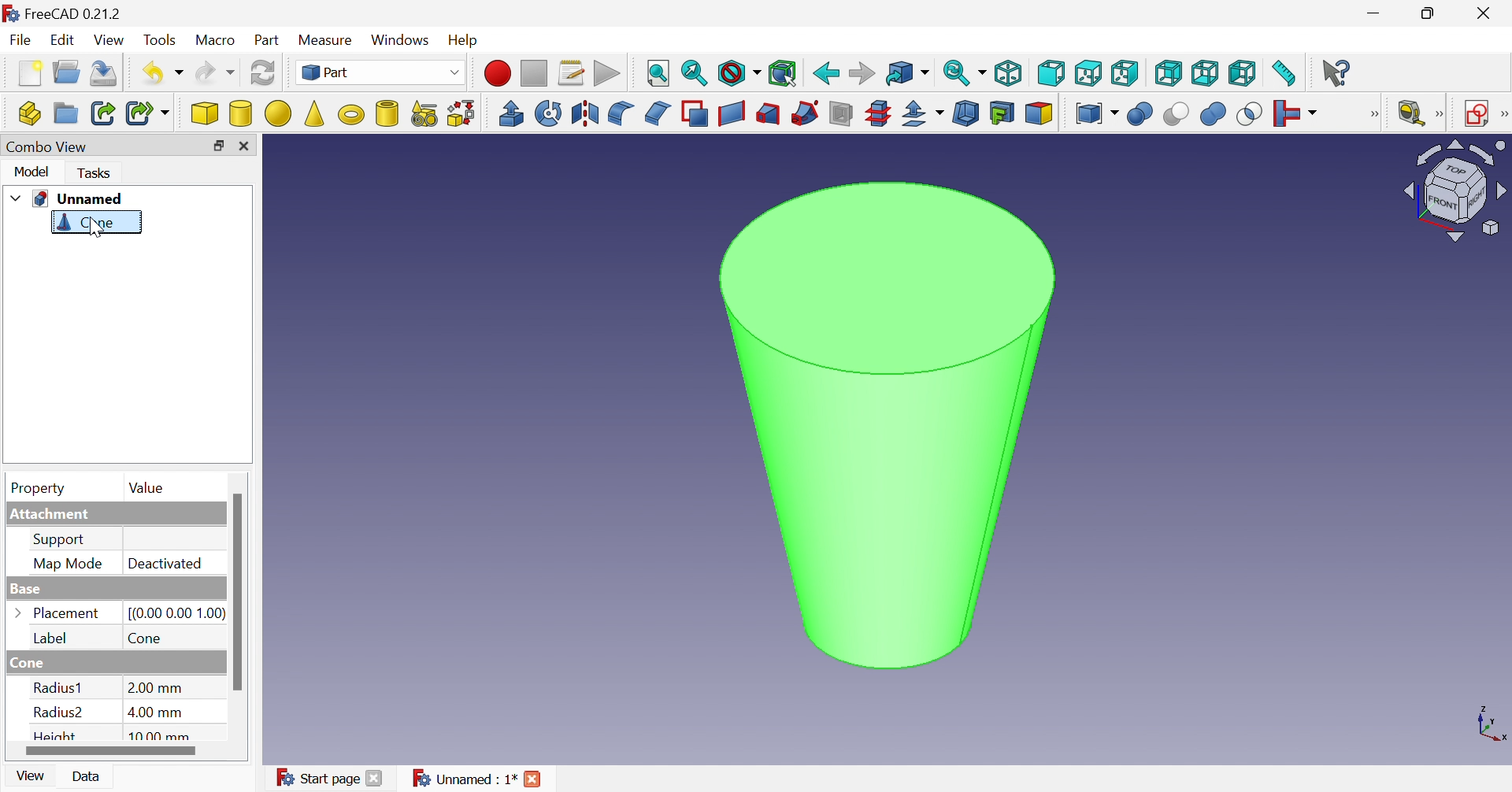  I want to click on Revolve, so click(547, 113).